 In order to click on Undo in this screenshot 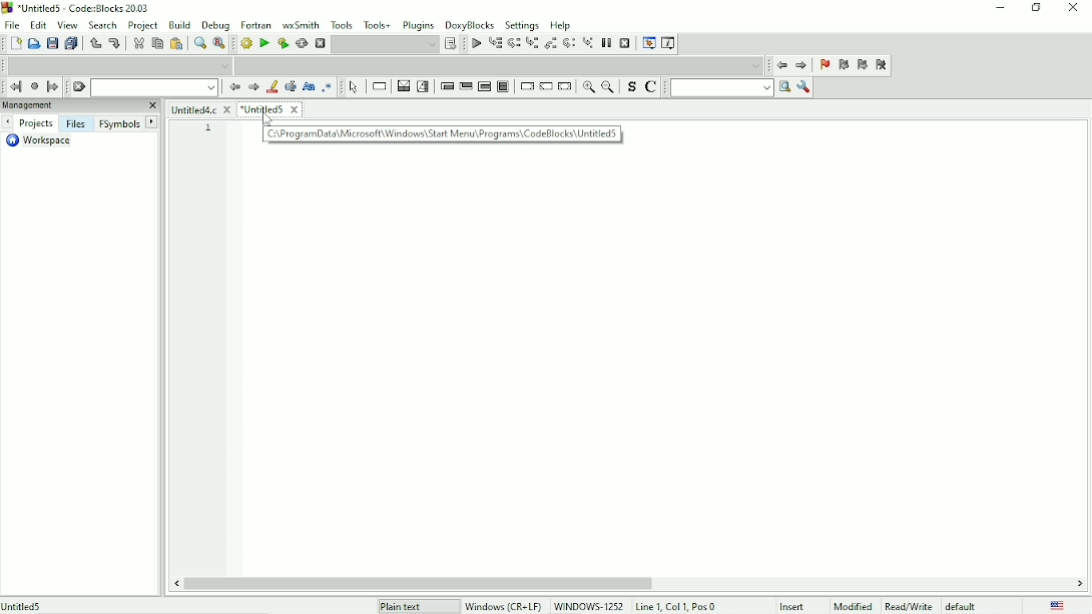, I will do `click(93, 42)`.